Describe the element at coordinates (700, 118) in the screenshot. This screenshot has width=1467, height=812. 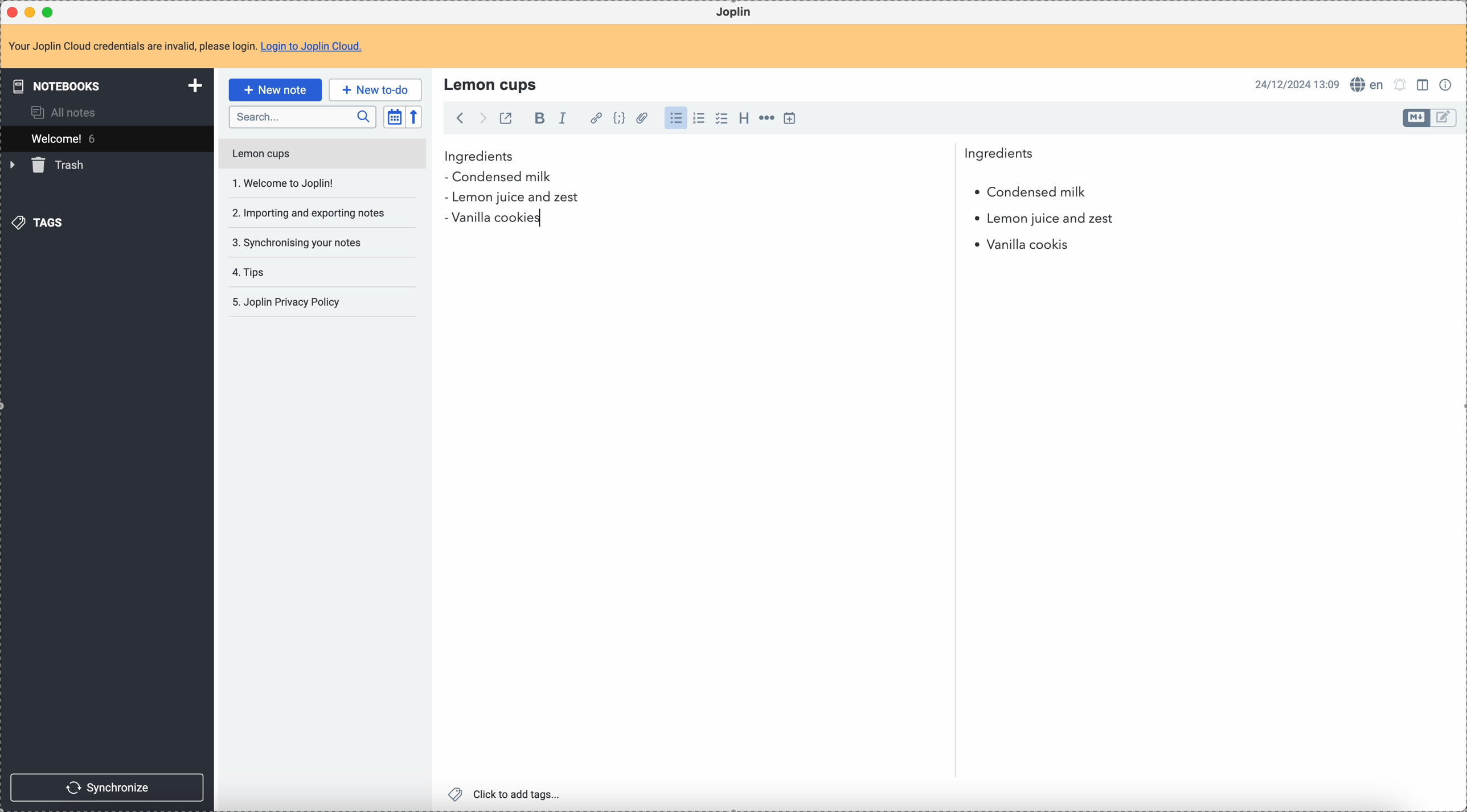
I see `numbered list` at that location.